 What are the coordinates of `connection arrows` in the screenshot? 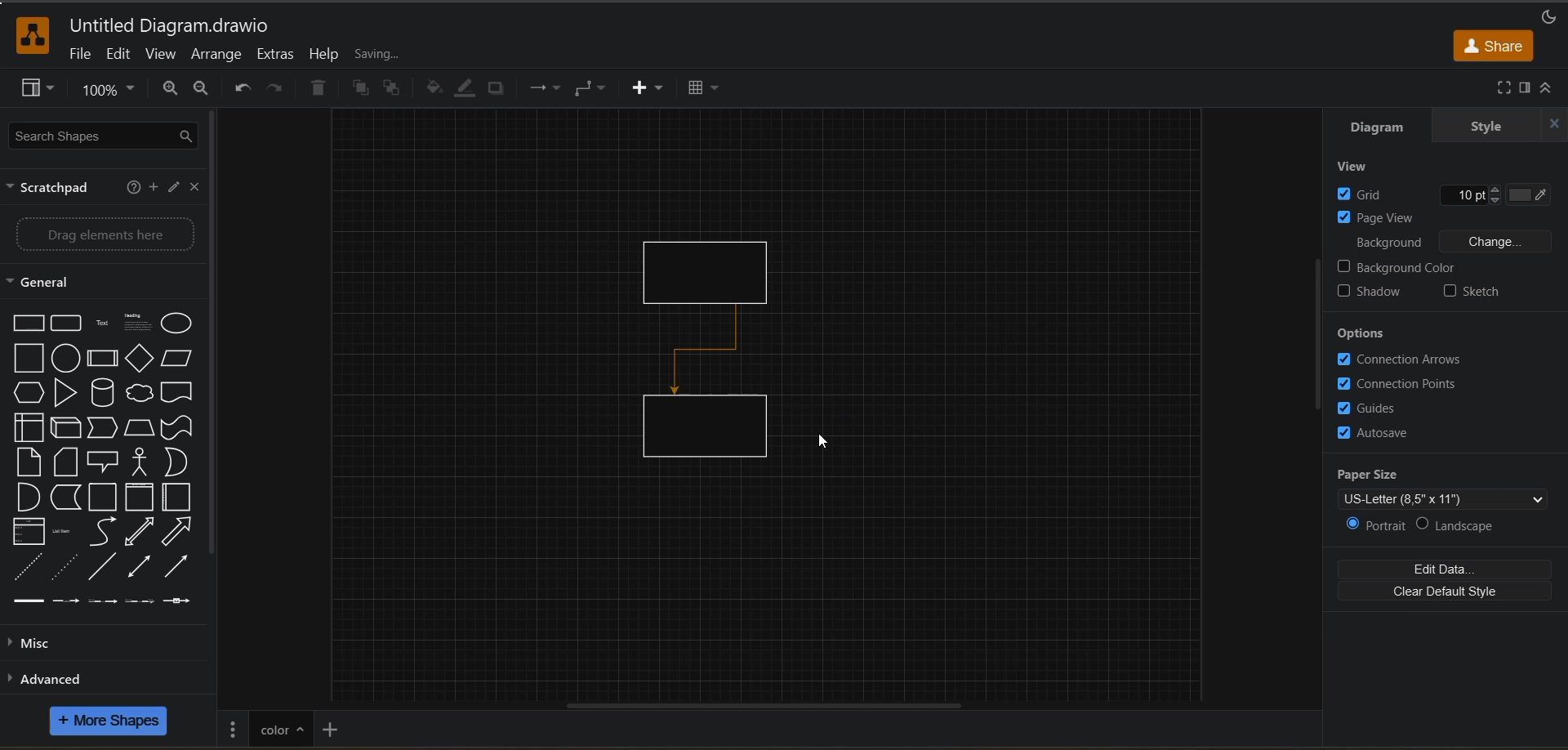 It's located at (1400, 360).